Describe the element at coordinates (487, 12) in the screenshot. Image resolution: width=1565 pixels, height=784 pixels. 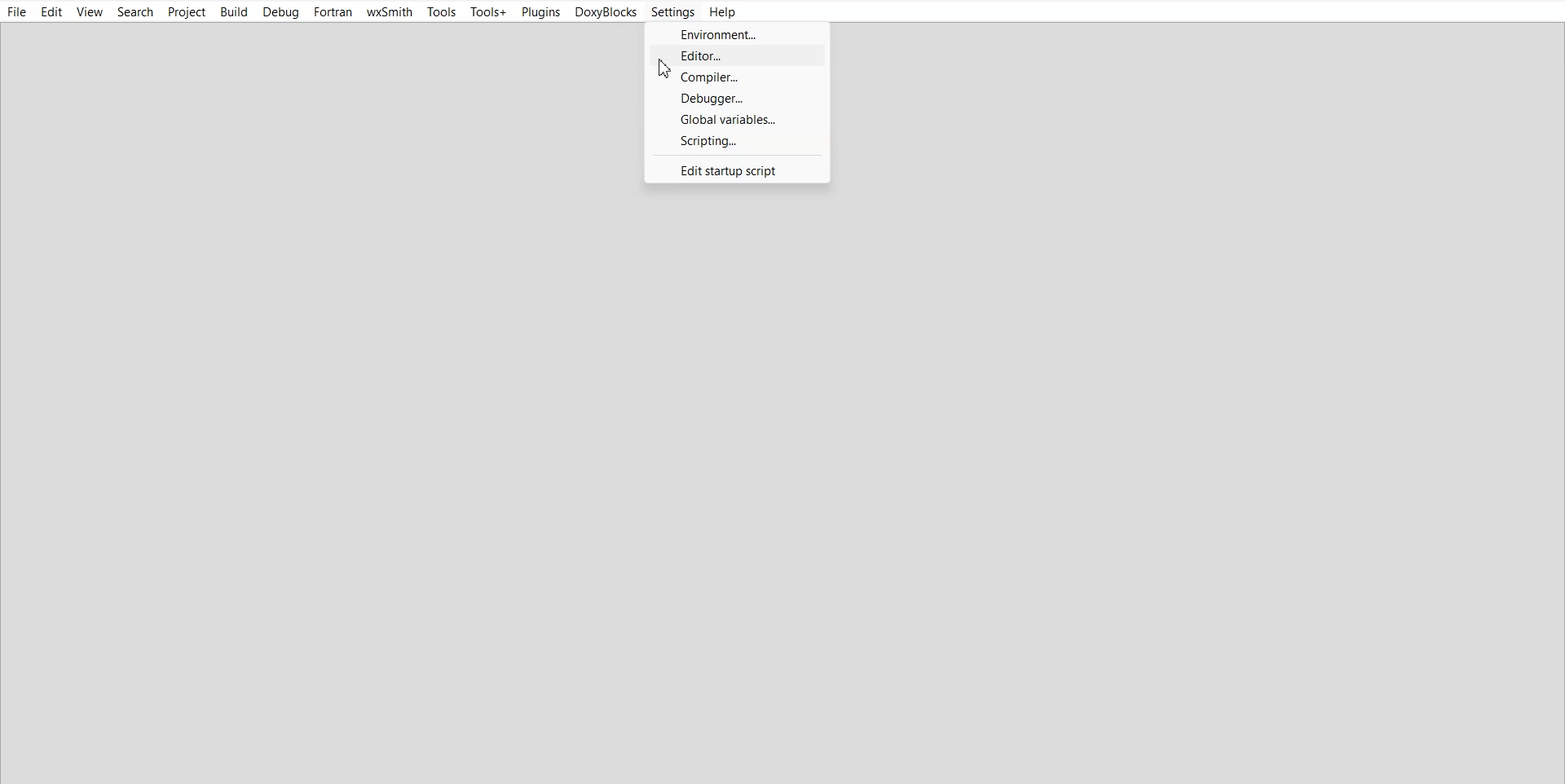
I see `Tools+` at that location.